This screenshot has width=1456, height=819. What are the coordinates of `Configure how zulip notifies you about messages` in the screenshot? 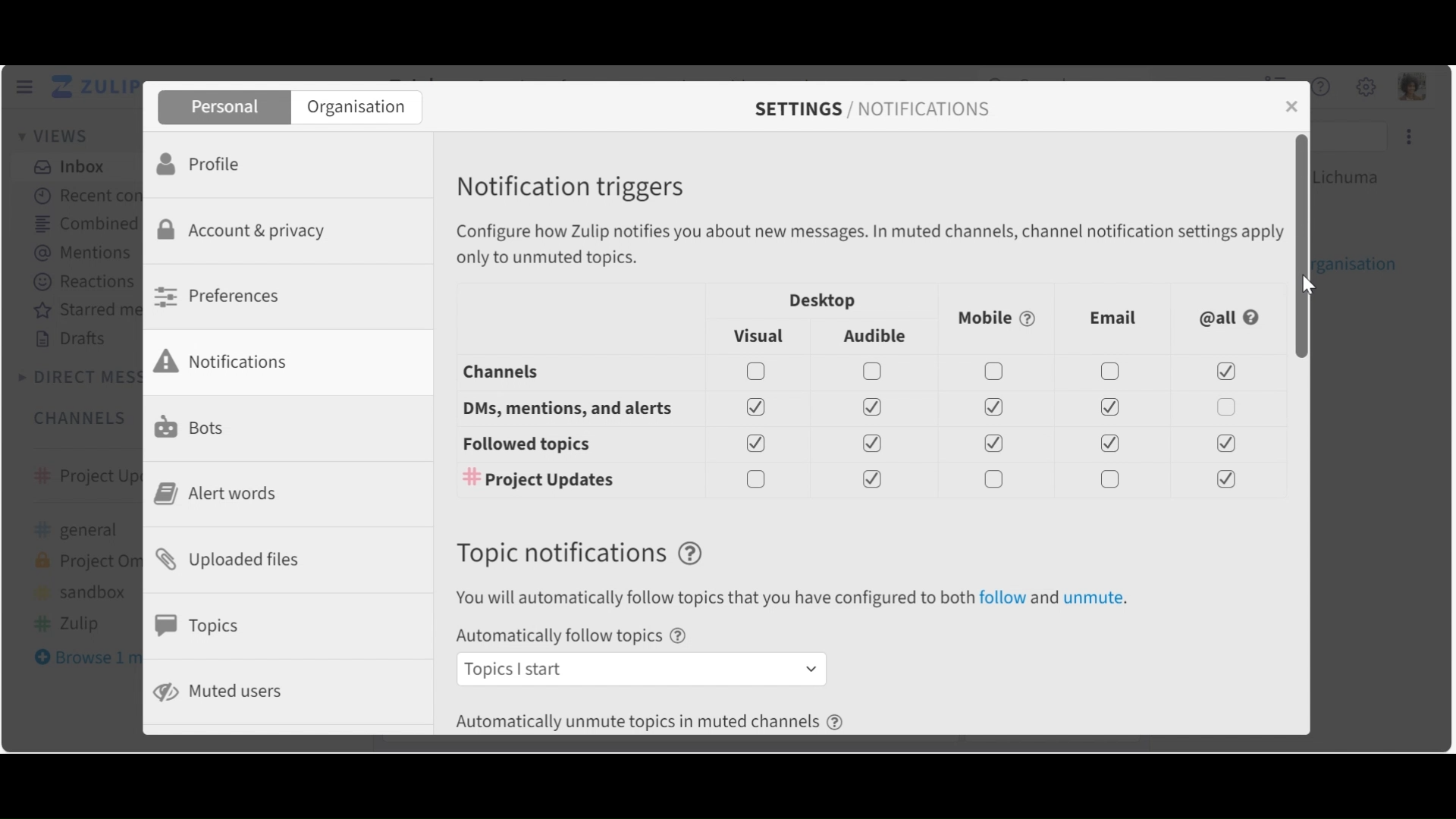 It's located at (871, 244).